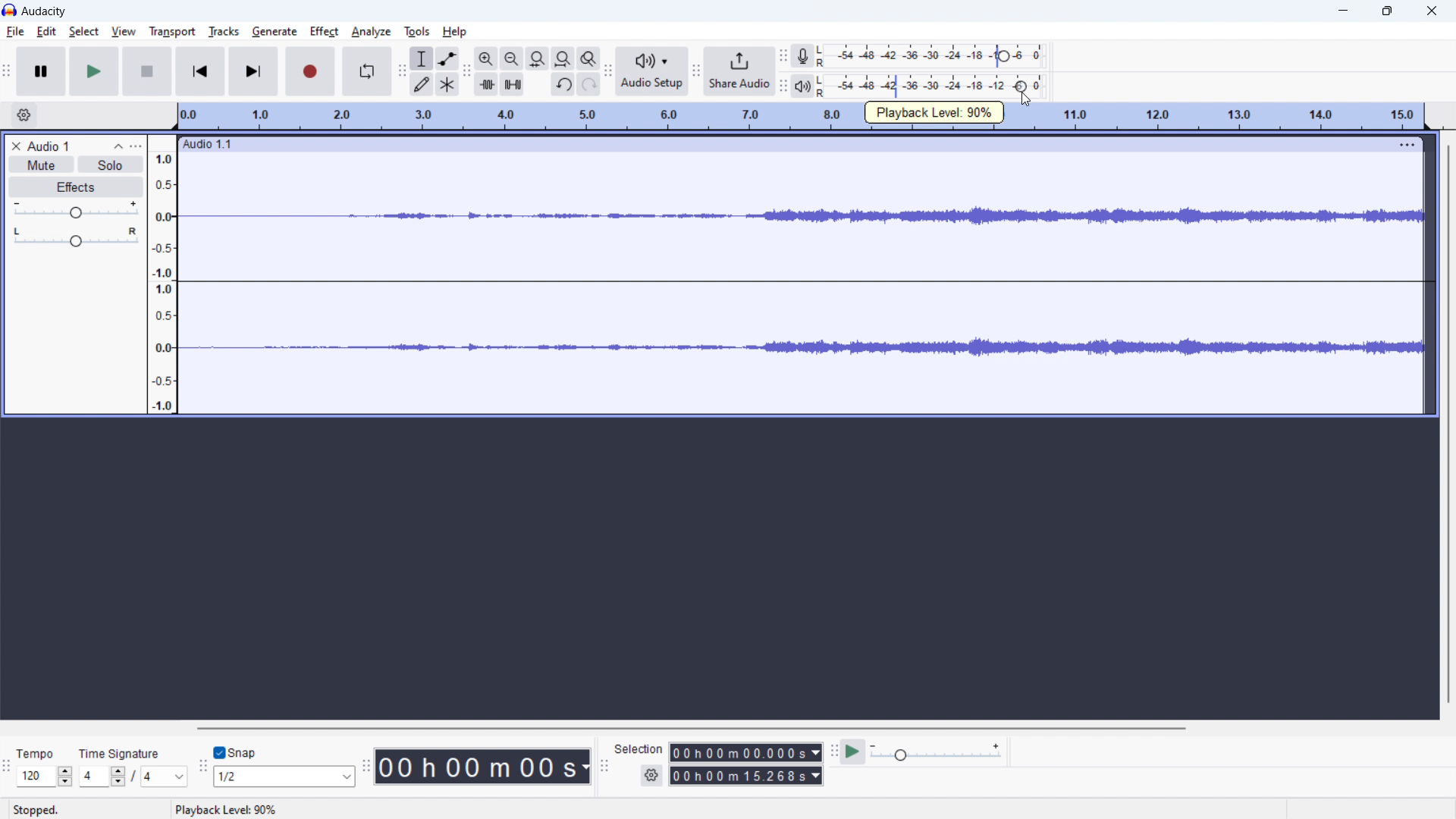 This screenshot has height=819, width=1456. Describe the element at coordinates (833, 752) in the screenshot. I see `play at speed toolbar` at that location.